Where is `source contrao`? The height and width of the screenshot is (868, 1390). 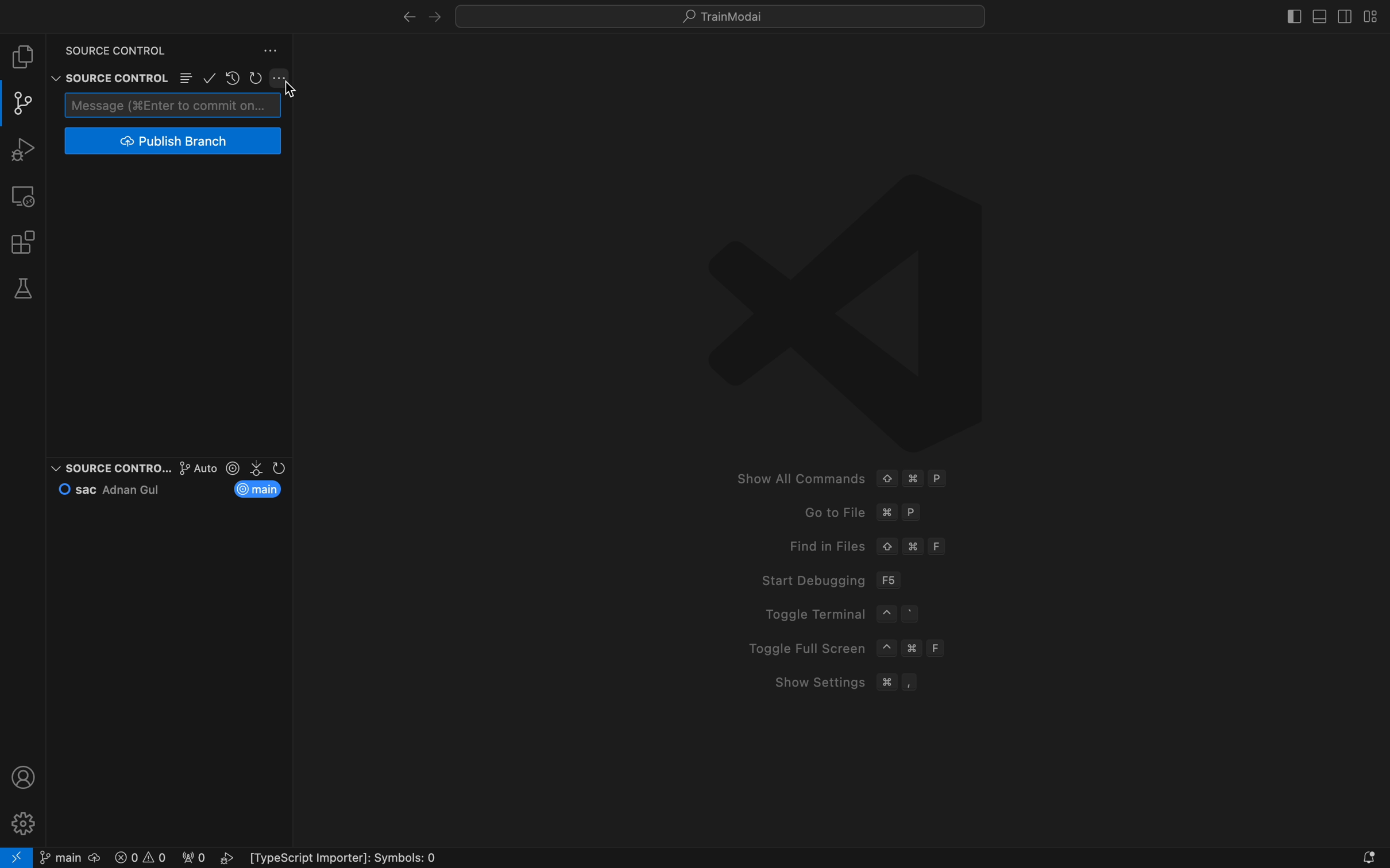
source contrao is located at coordinates (102, 463).